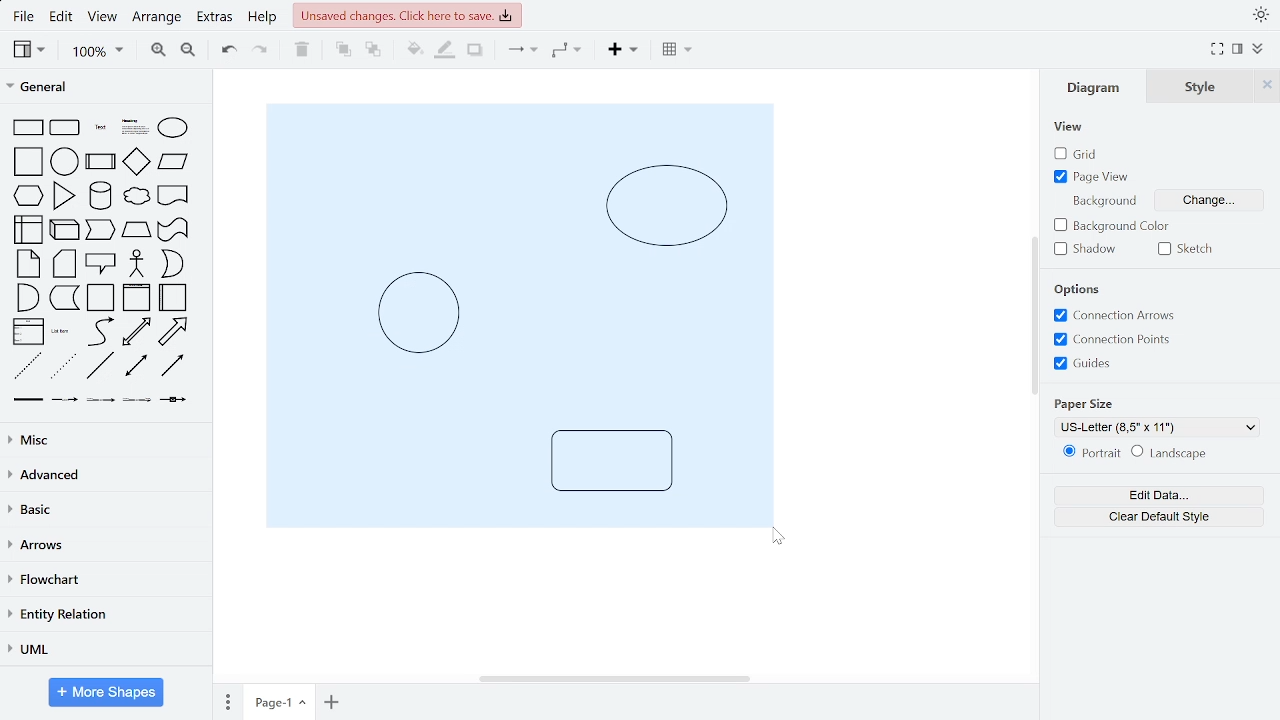  I want to click on Connector with 3 label, so click(136, 404).